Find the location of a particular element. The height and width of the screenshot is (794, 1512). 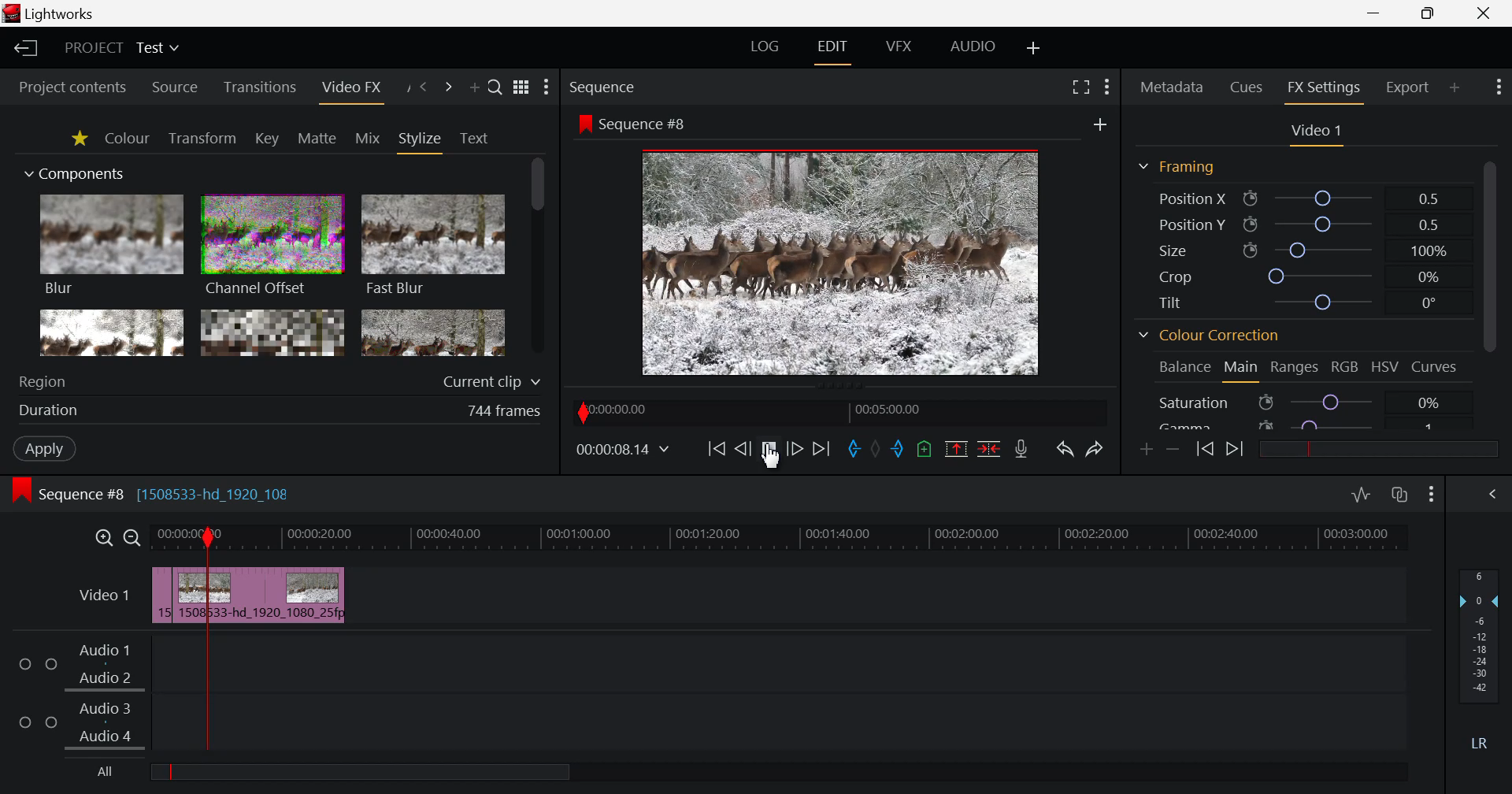

First Clip Cut is located at coordinates (174, 599).